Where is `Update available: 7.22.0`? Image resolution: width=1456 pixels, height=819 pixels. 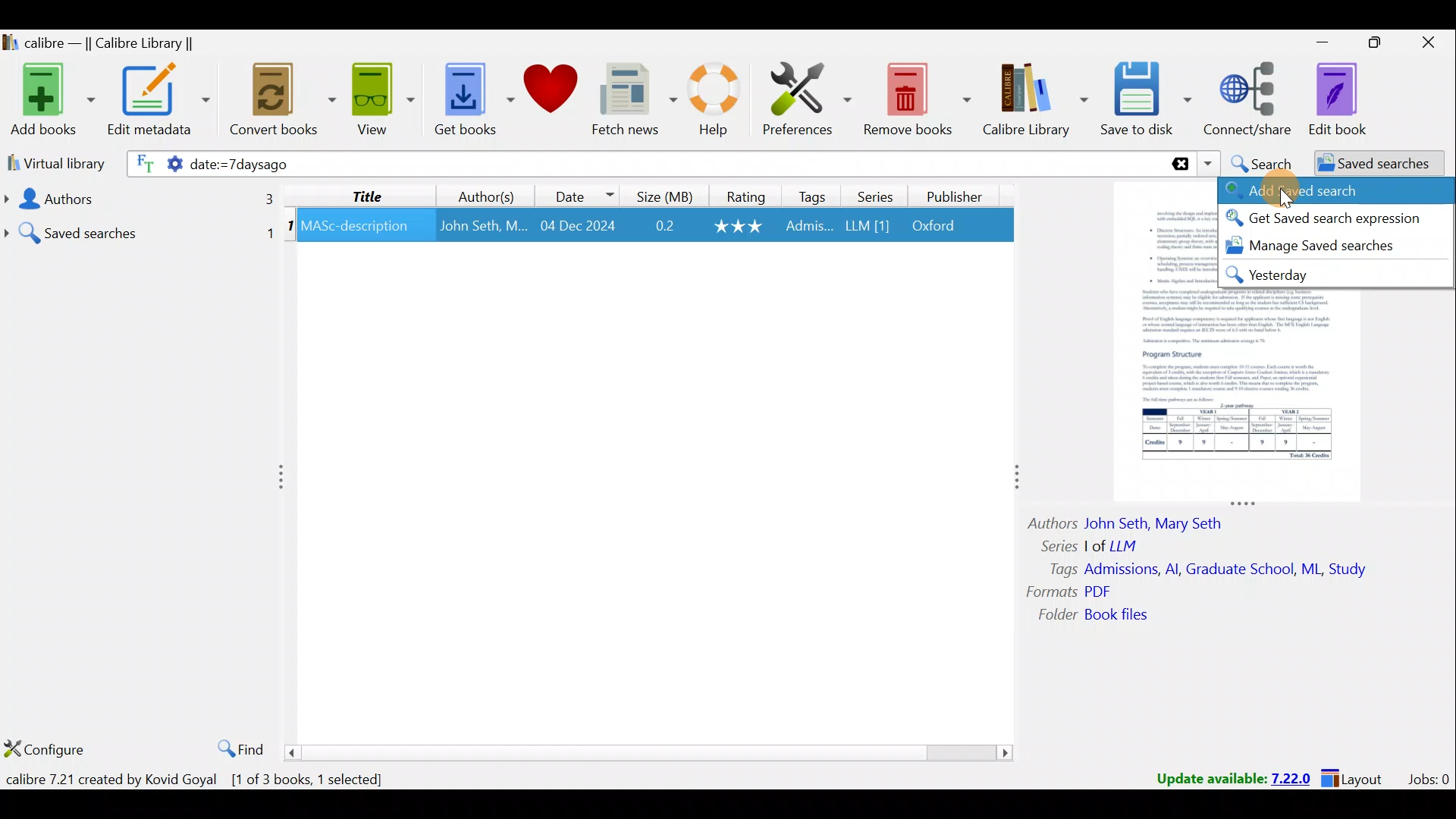 Update available: 7.22.0 is located at coordinates (1225, 777).